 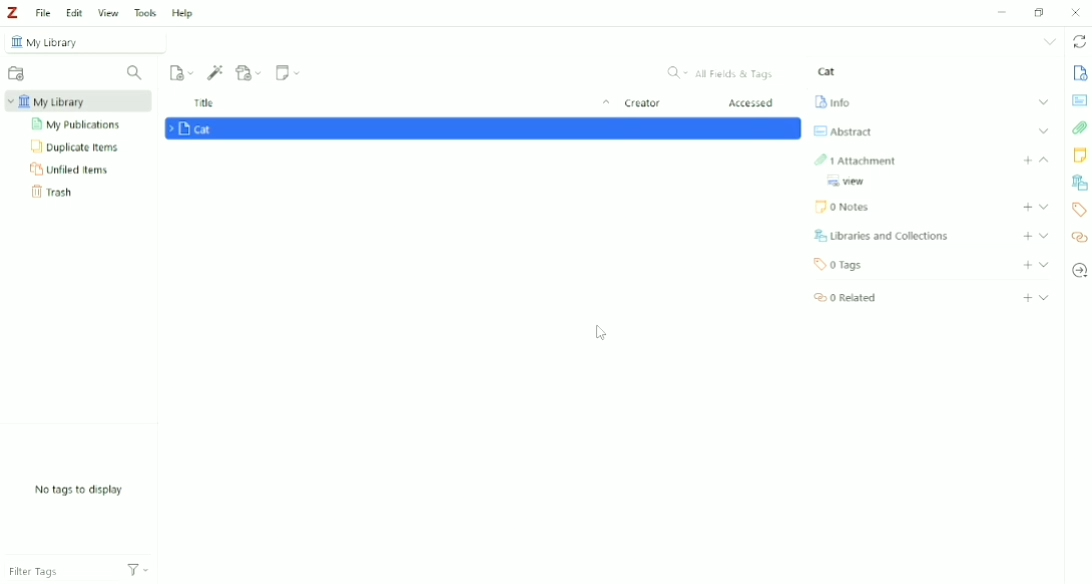 What do you see at coordinates (852, 183) in the screenshot?
I see `View` at bounding box center [852, 183].